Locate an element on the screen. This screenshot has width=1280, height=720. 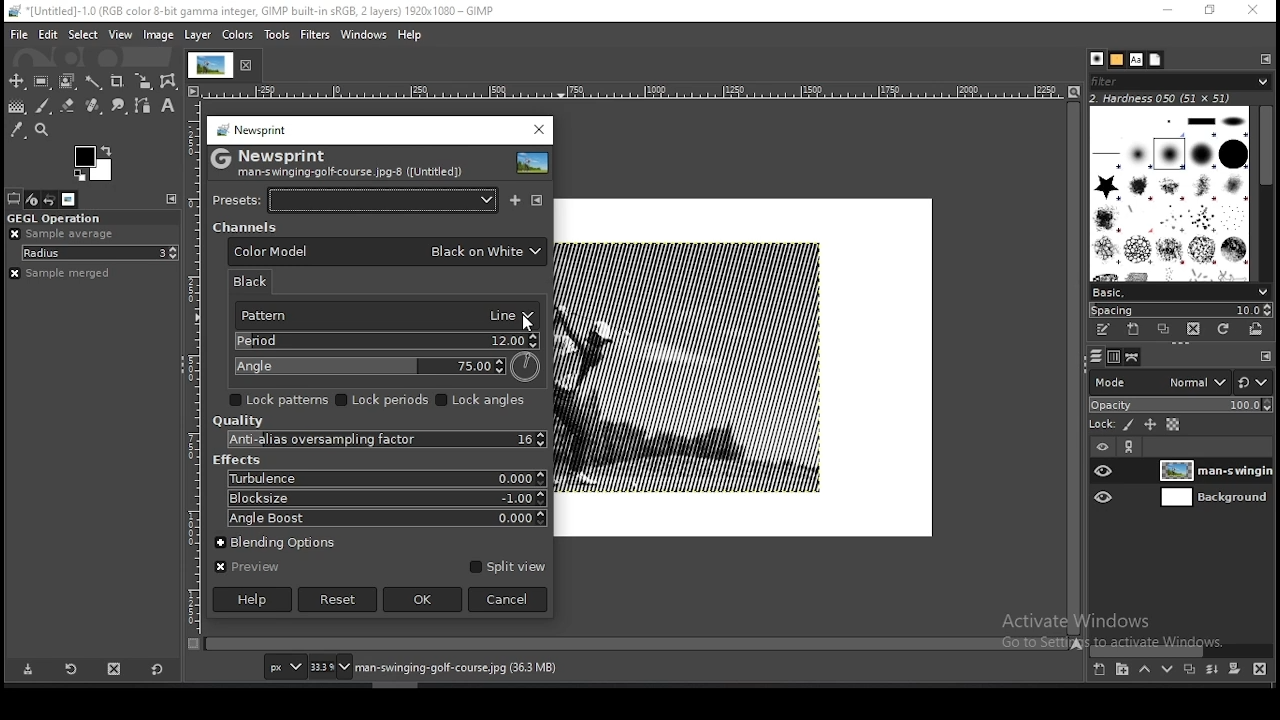
layer is located at coordinates (1212, 498).